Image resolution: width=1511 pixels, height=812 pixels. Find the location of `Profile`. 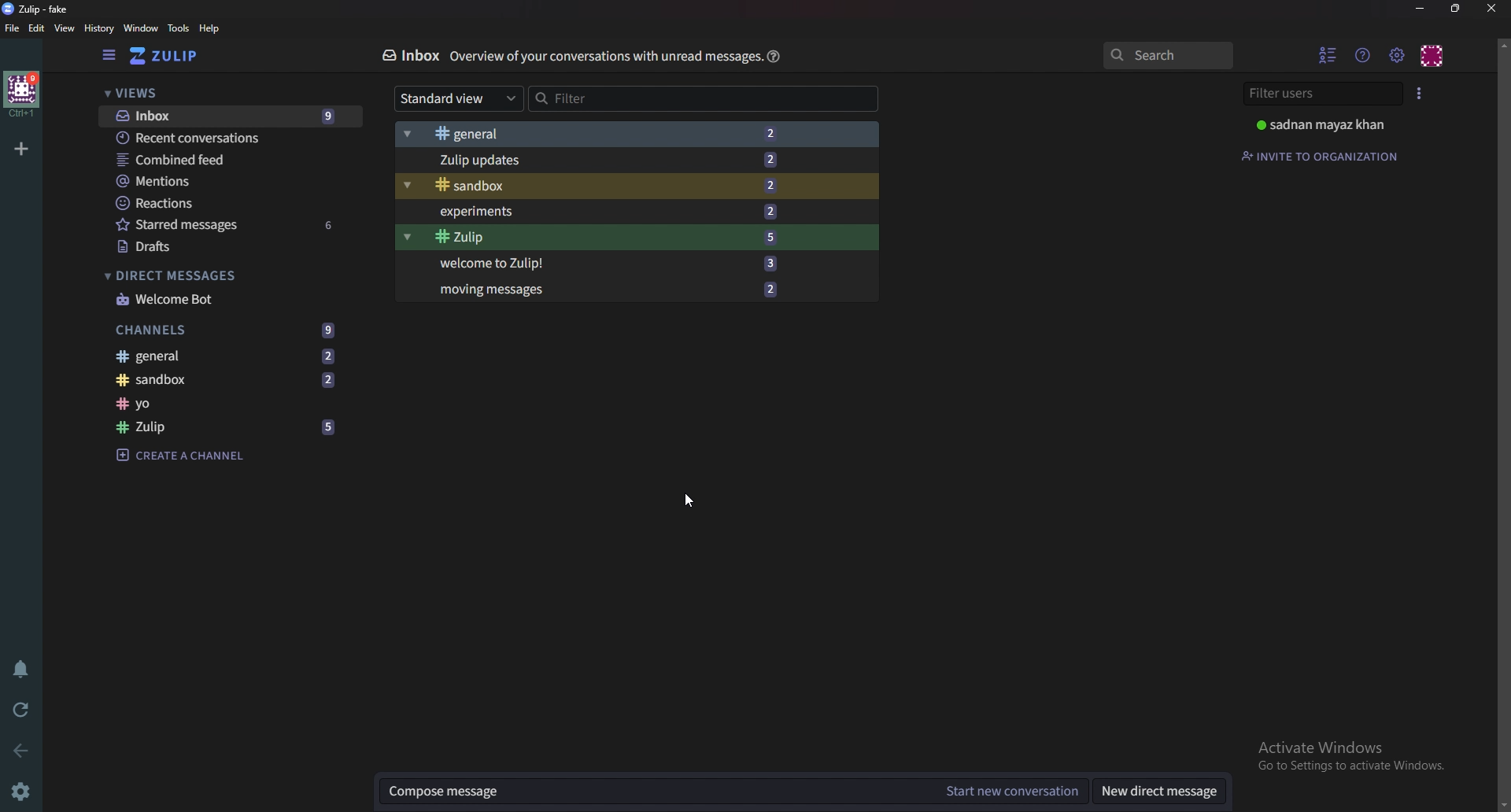

Profile is located at coordinates (1432, 57).